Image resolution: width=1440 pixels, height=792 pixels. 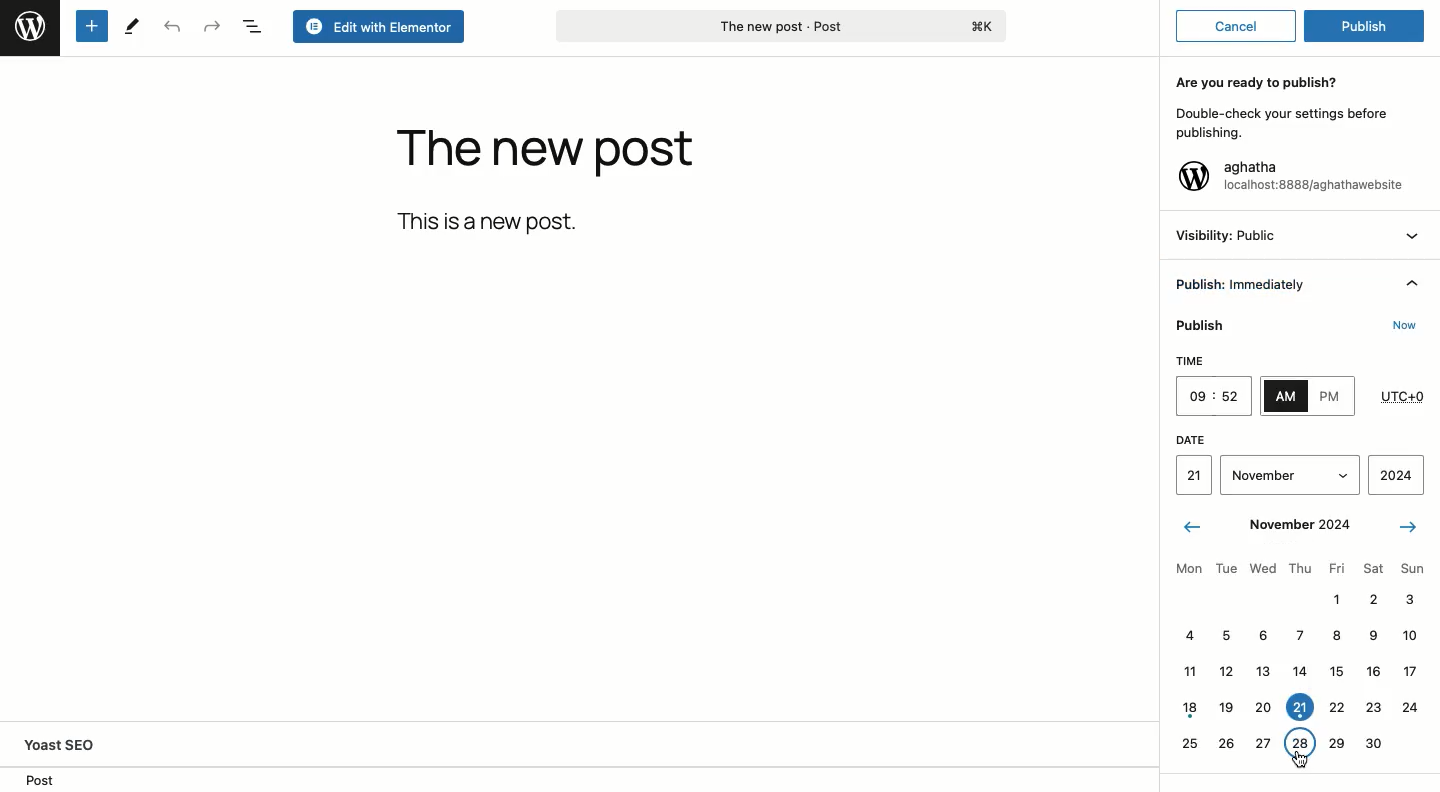 I want to click on 19, so click(x=1226, y=709).